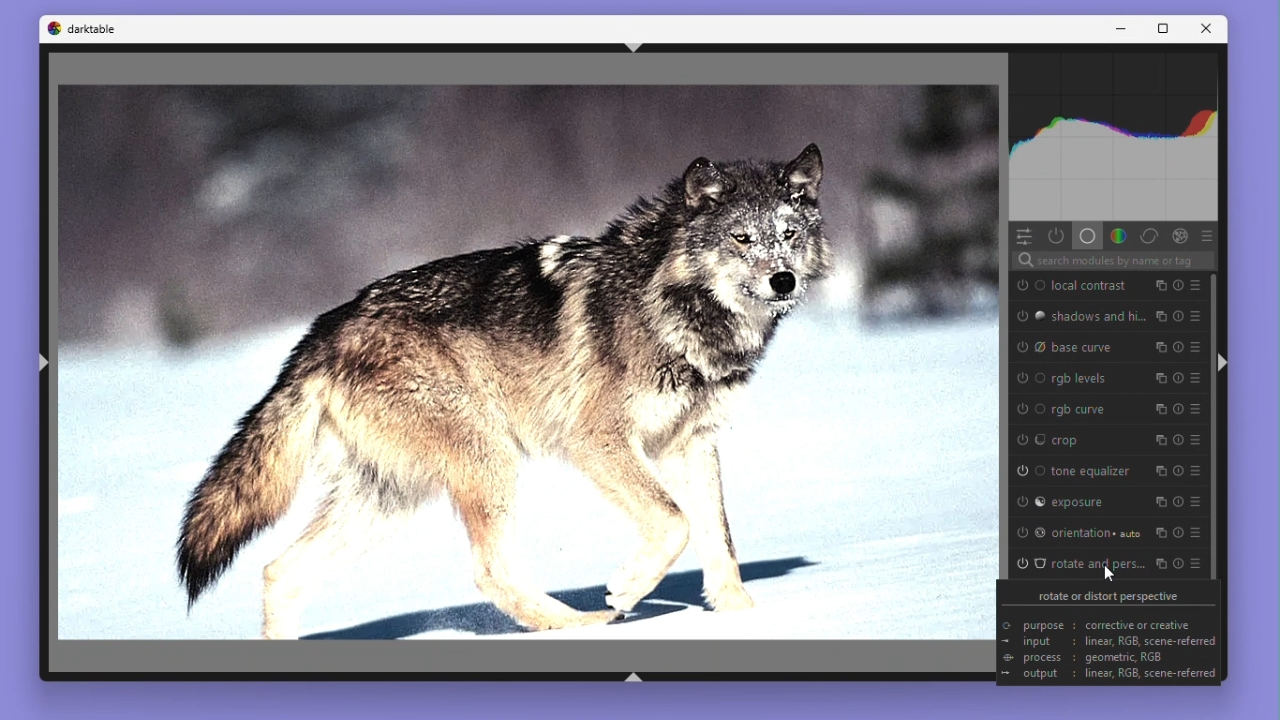 The width and height of the screenshot is (1280, 720). Describe the element at coordinates (1111, 499) in the screenshot. I see `Exposure` at that location.